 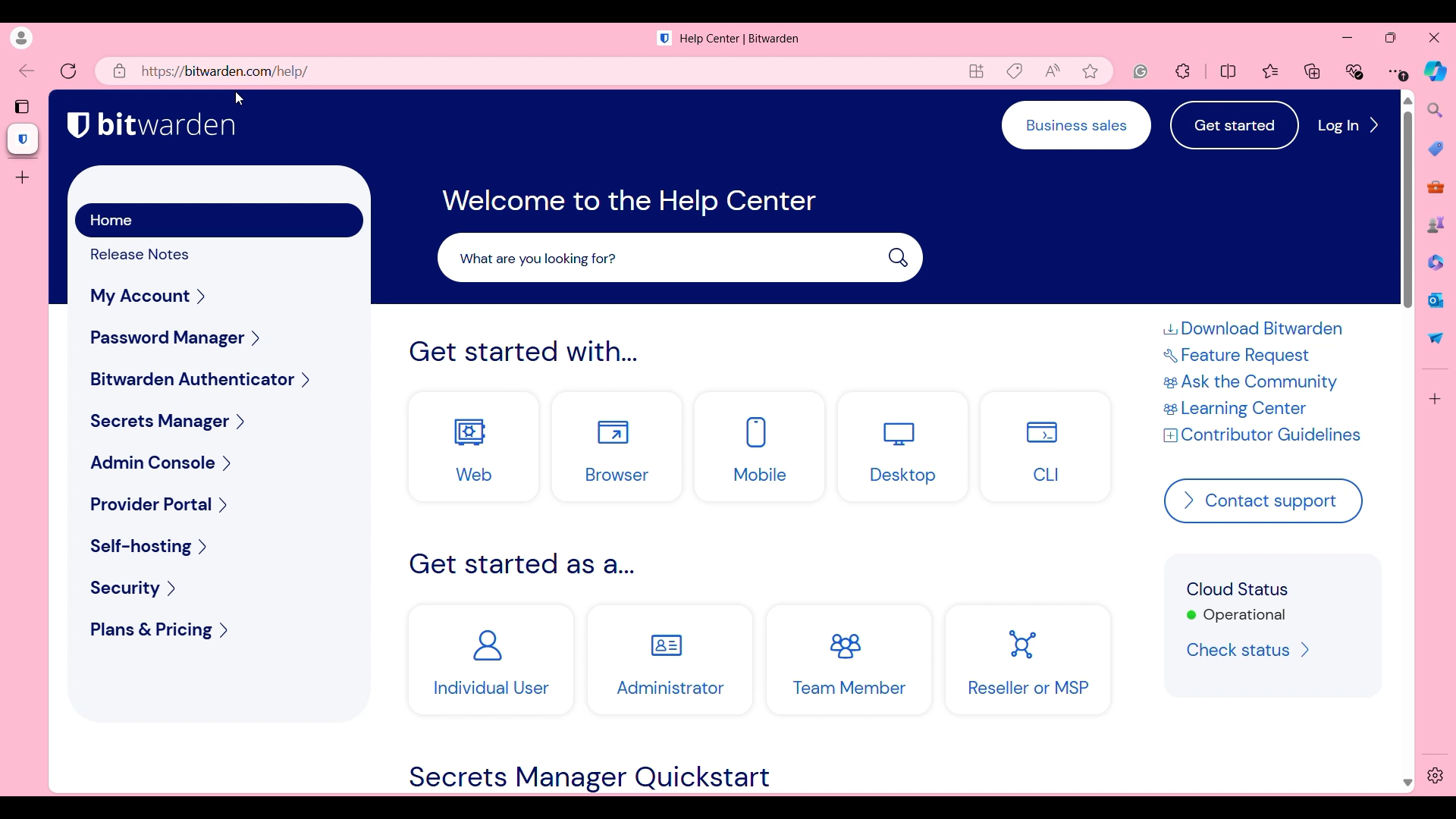 I want to click on Indicates app available, so click(x=977, y=71).